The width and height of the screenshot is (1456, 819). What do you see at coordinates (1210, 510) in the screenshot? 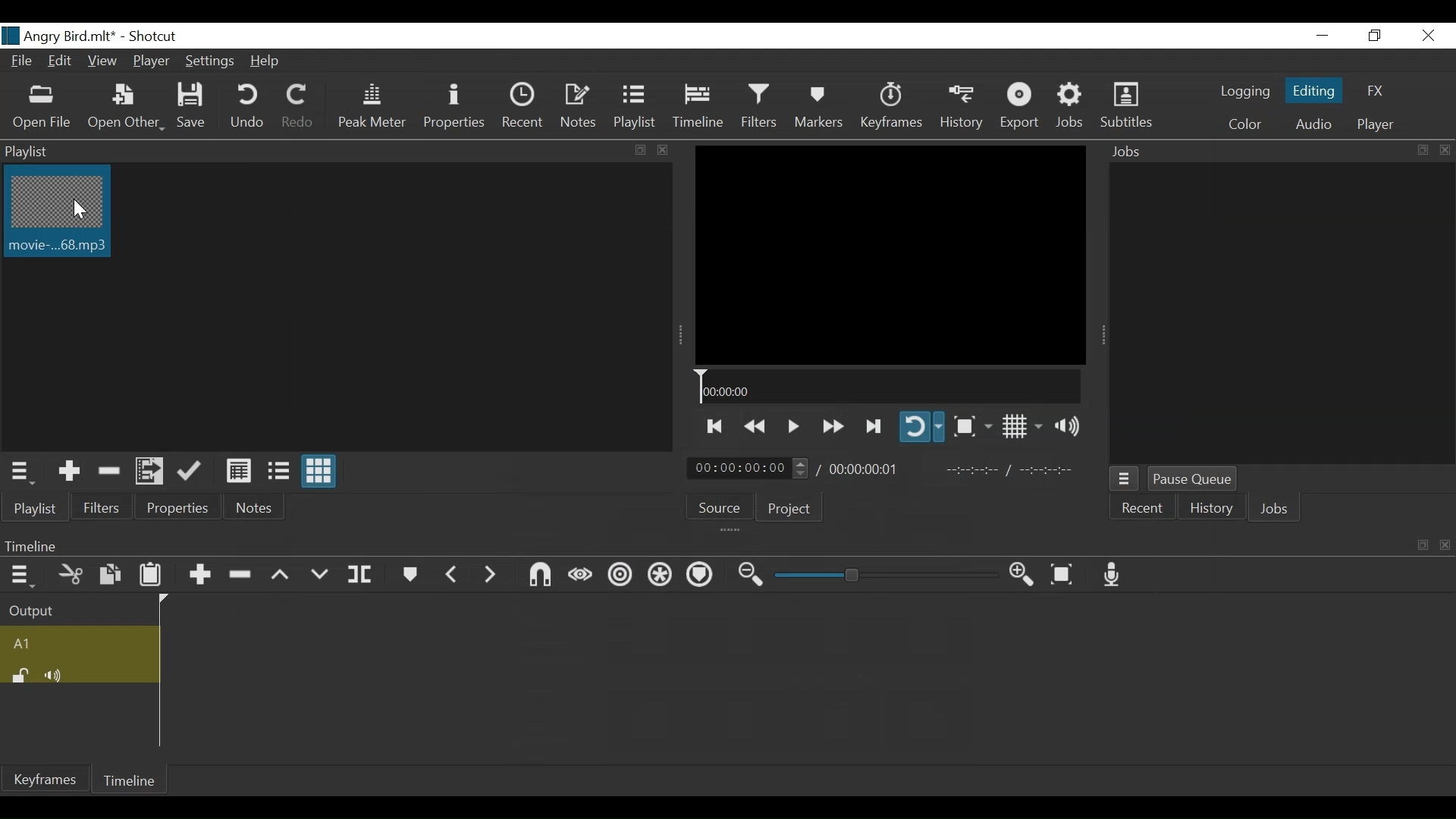
I see `History` at bounding box center [1210, 510].